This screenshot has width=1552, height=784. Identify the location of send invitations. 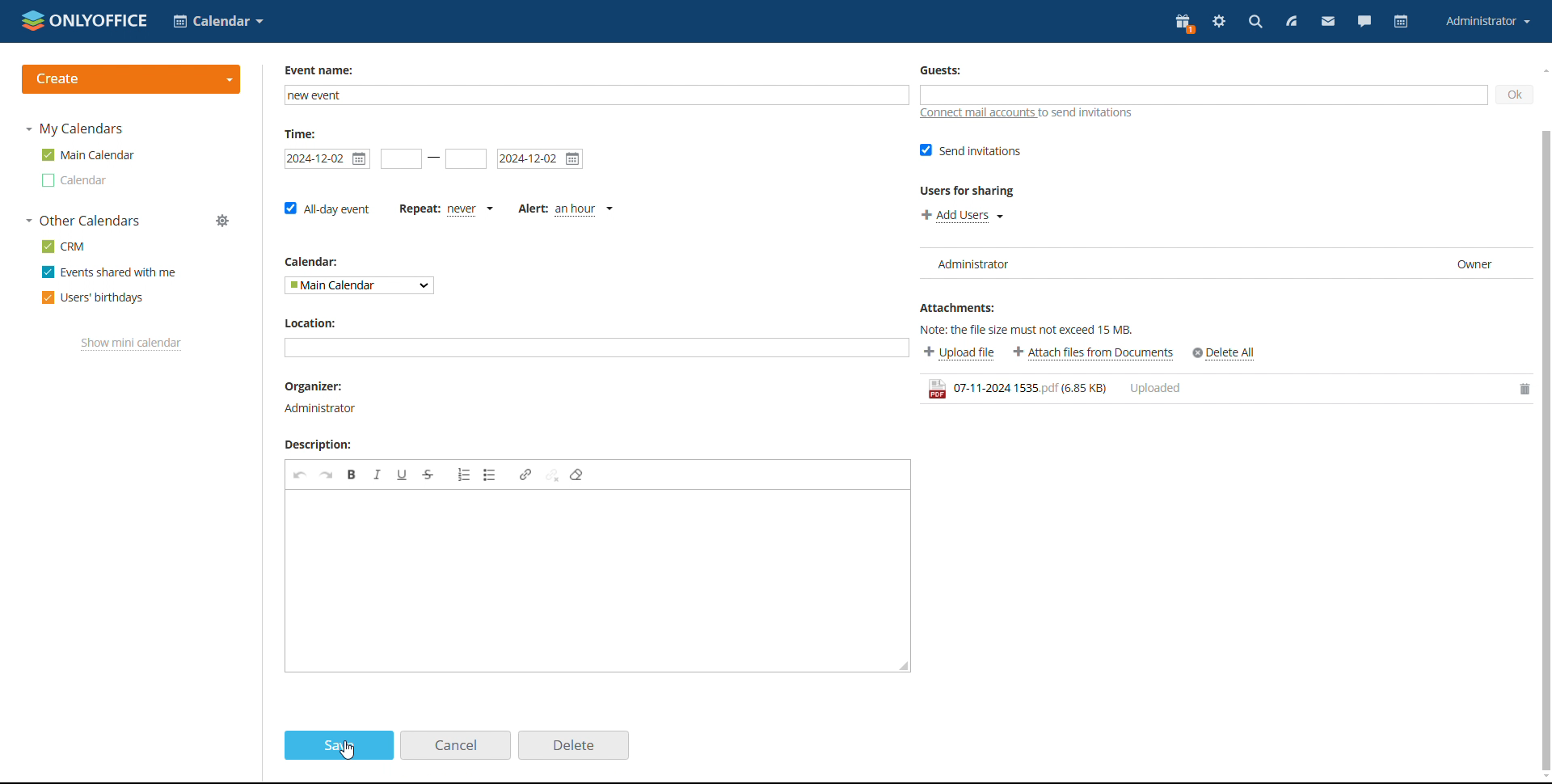
(972, 150).